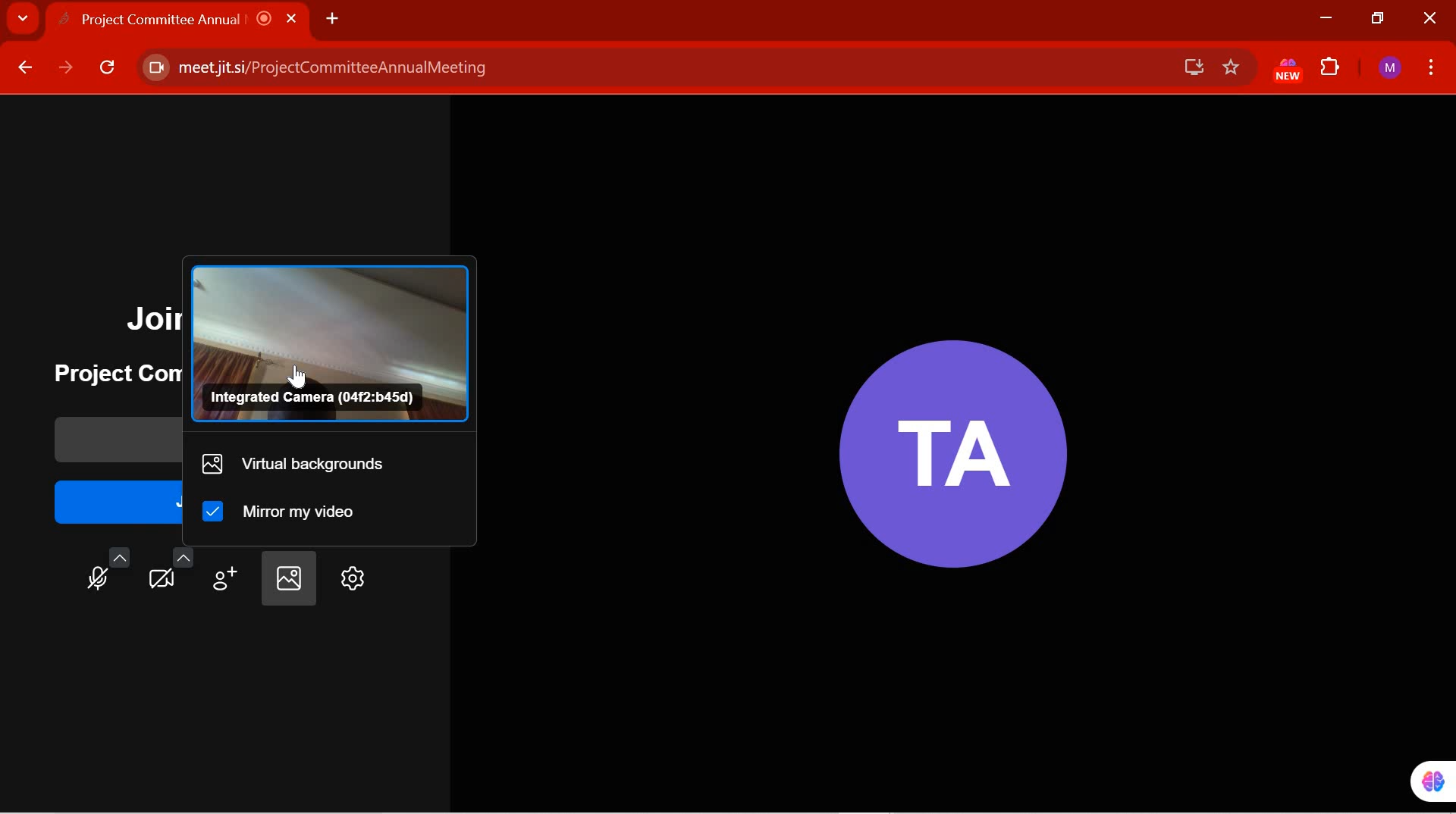  Describe the element at coordinates (1432, 66) in the screenshot. I see `CUSTOMIZE GOOGLE CHROME` at that location.